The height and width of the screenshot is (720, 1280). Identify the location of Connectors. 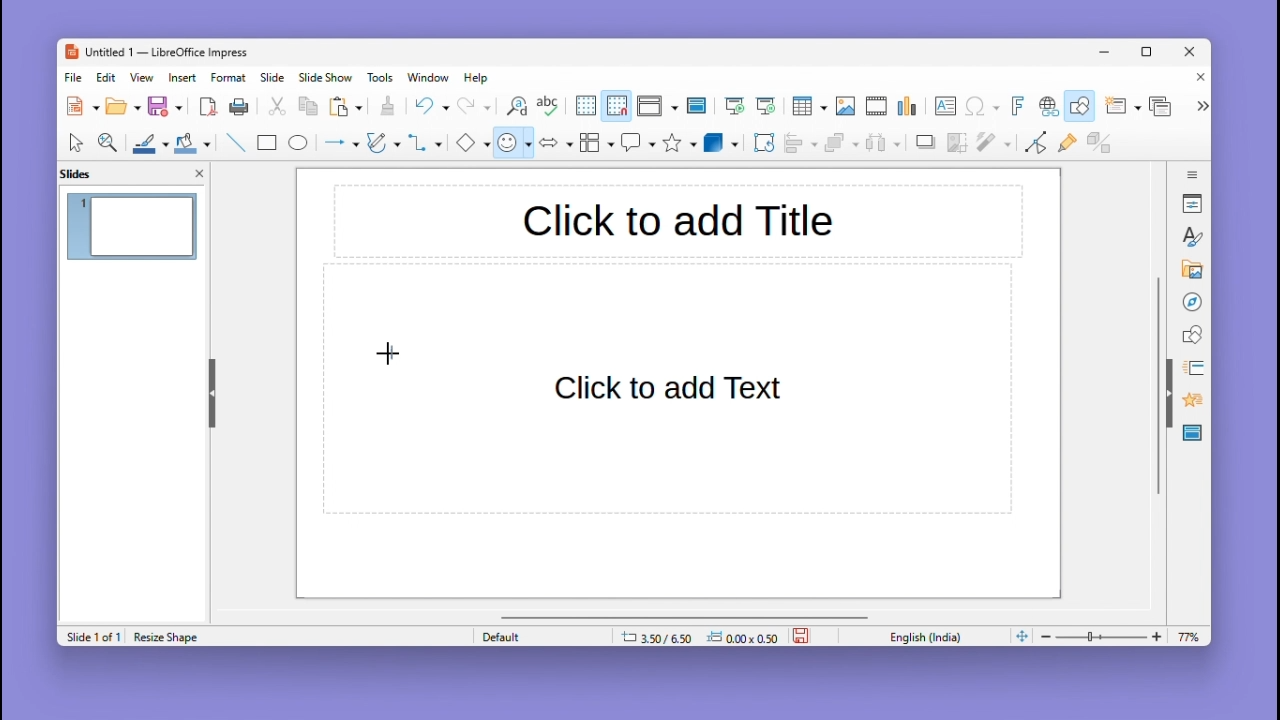
(425, 142).